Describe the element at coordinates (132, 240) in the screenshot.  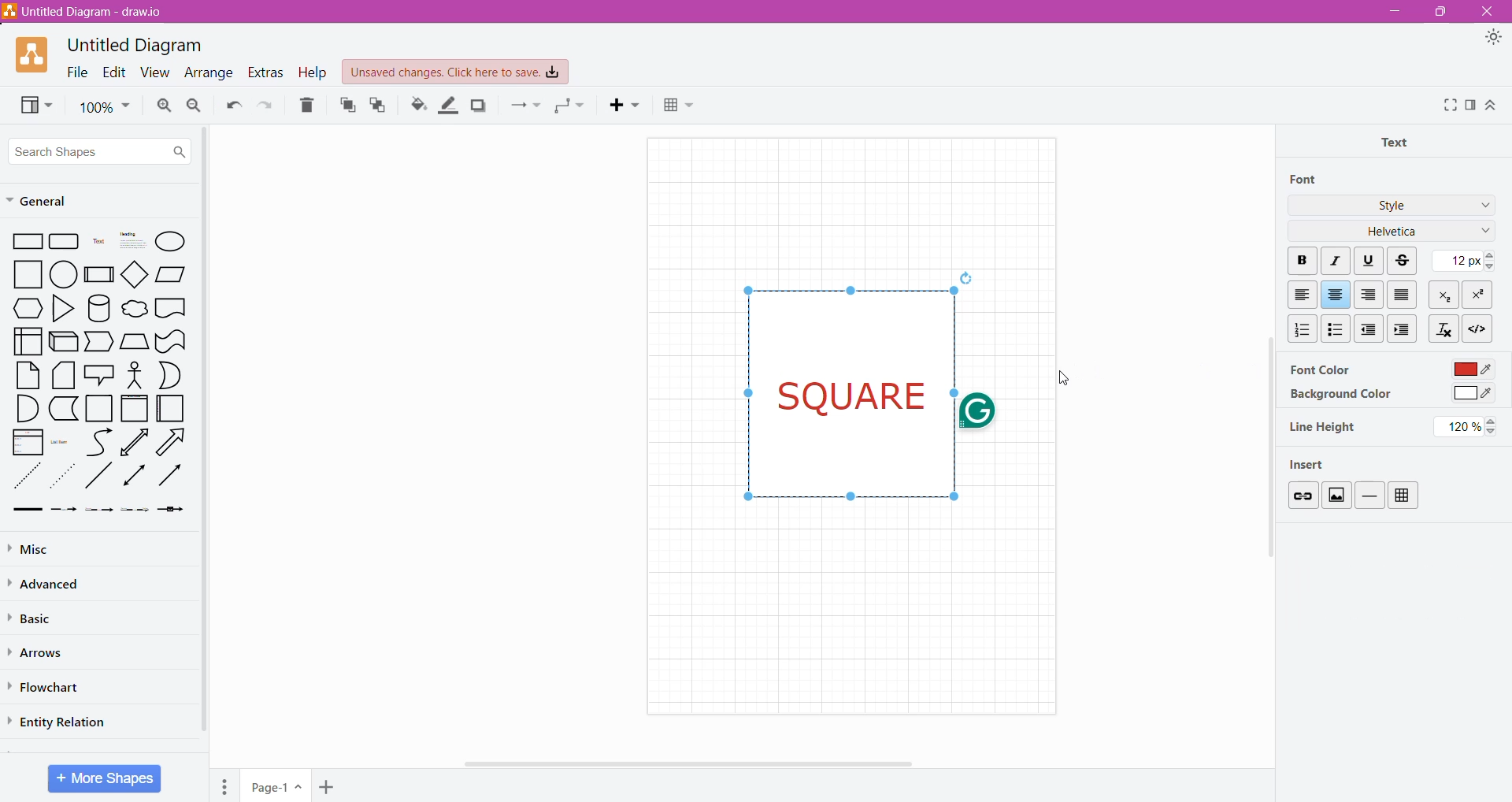
I see `Heading` at that location.